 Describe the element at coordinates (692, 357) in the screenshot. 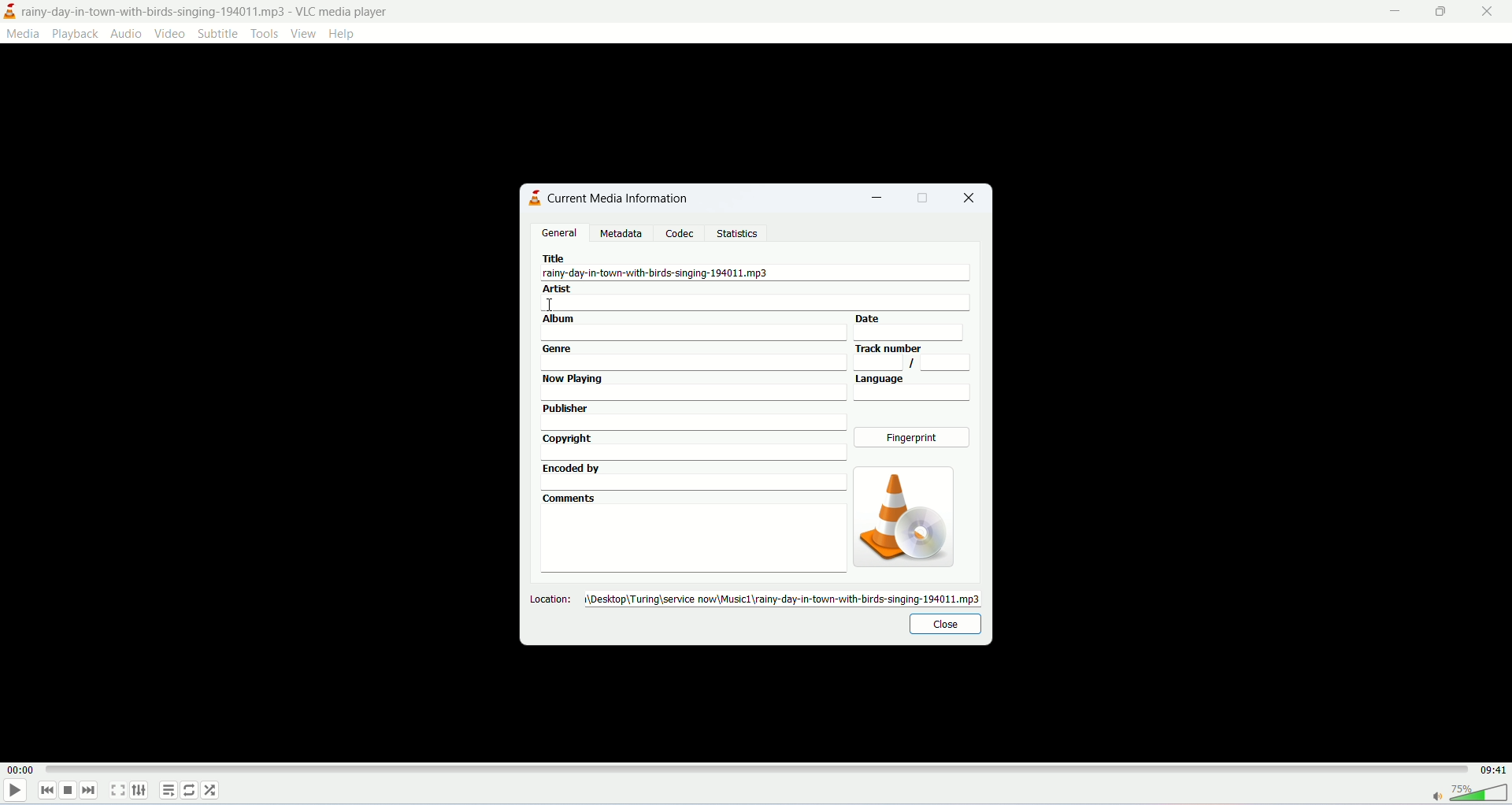

I see `genre` at that location.